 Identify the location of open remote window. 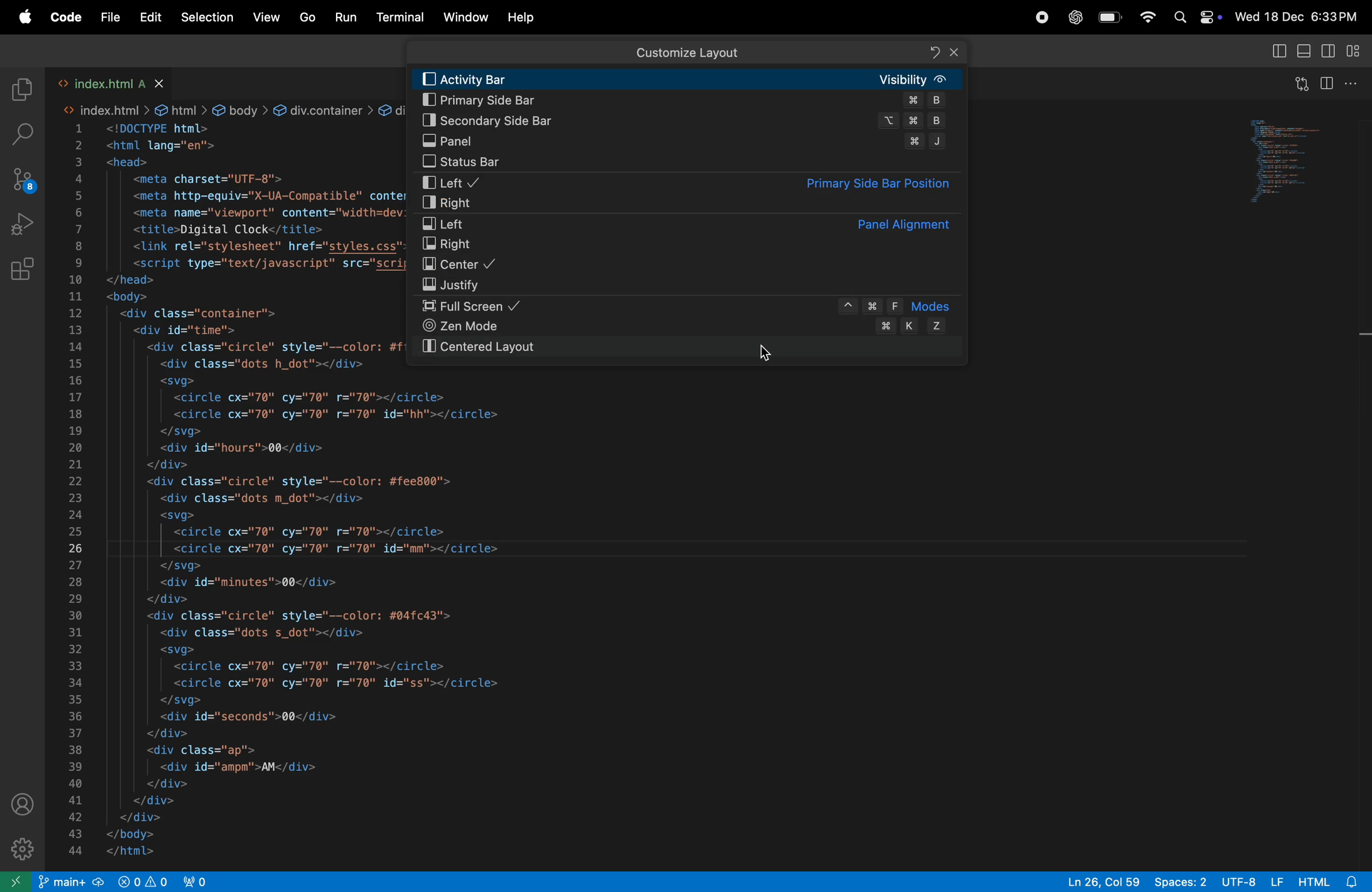
(18, 881).